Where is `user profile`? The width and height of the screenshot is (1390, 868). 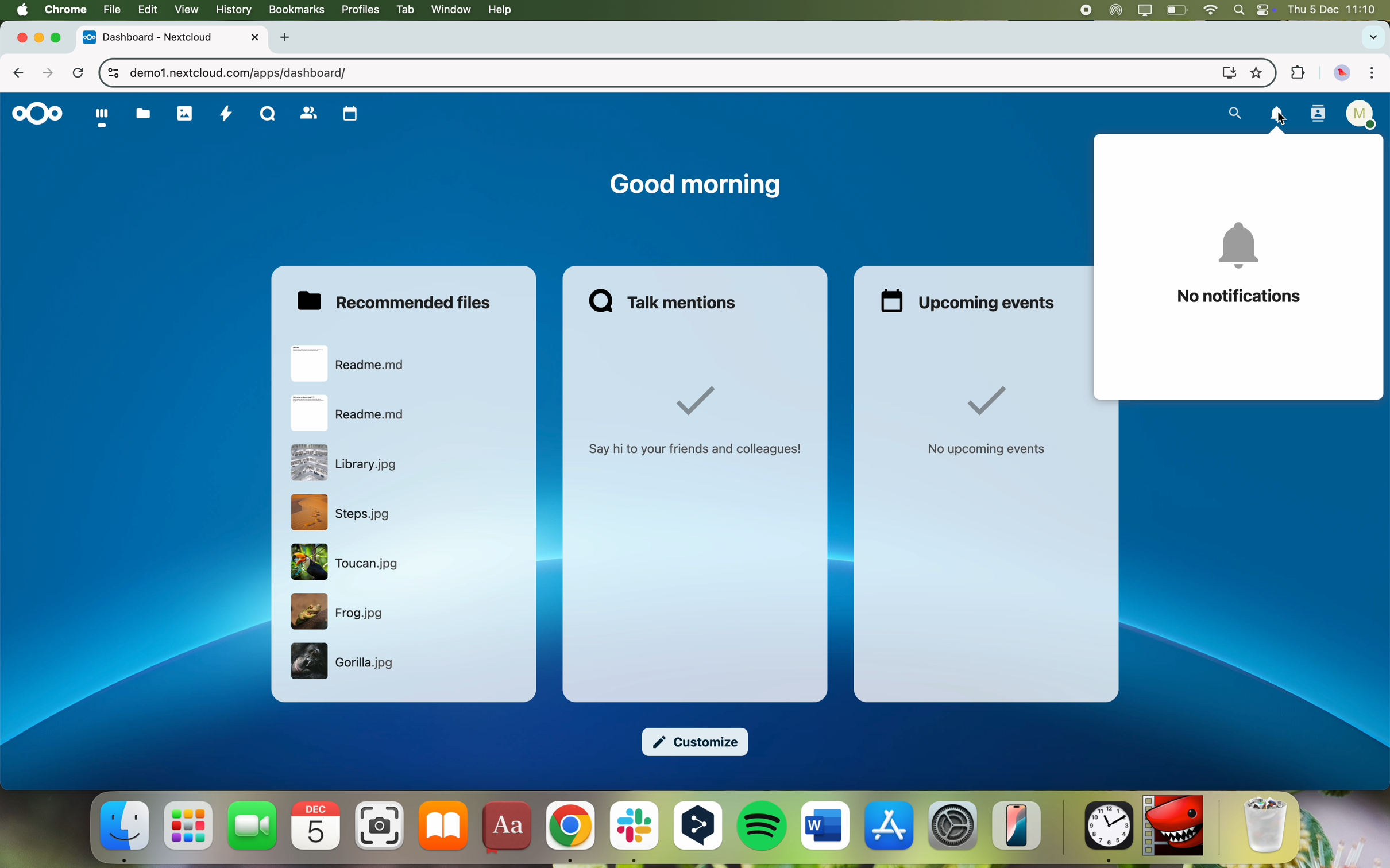
user profile is located at coordinates (1363, 117).